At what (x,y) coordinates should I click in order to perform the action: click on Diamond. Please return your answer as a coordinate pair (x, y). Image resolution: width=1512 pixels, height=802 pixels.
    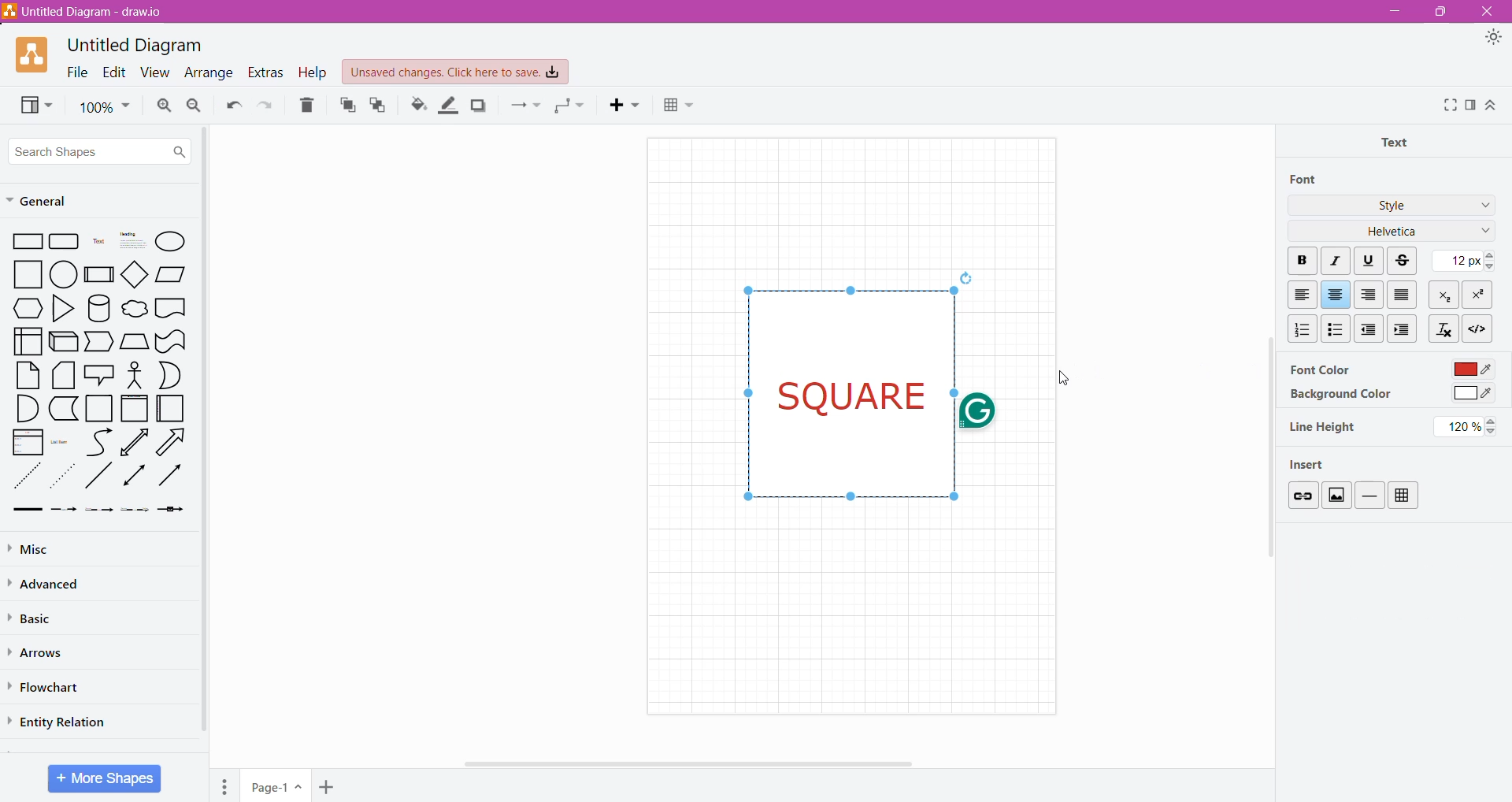
    Looking at the image, I should click on (135, 273).